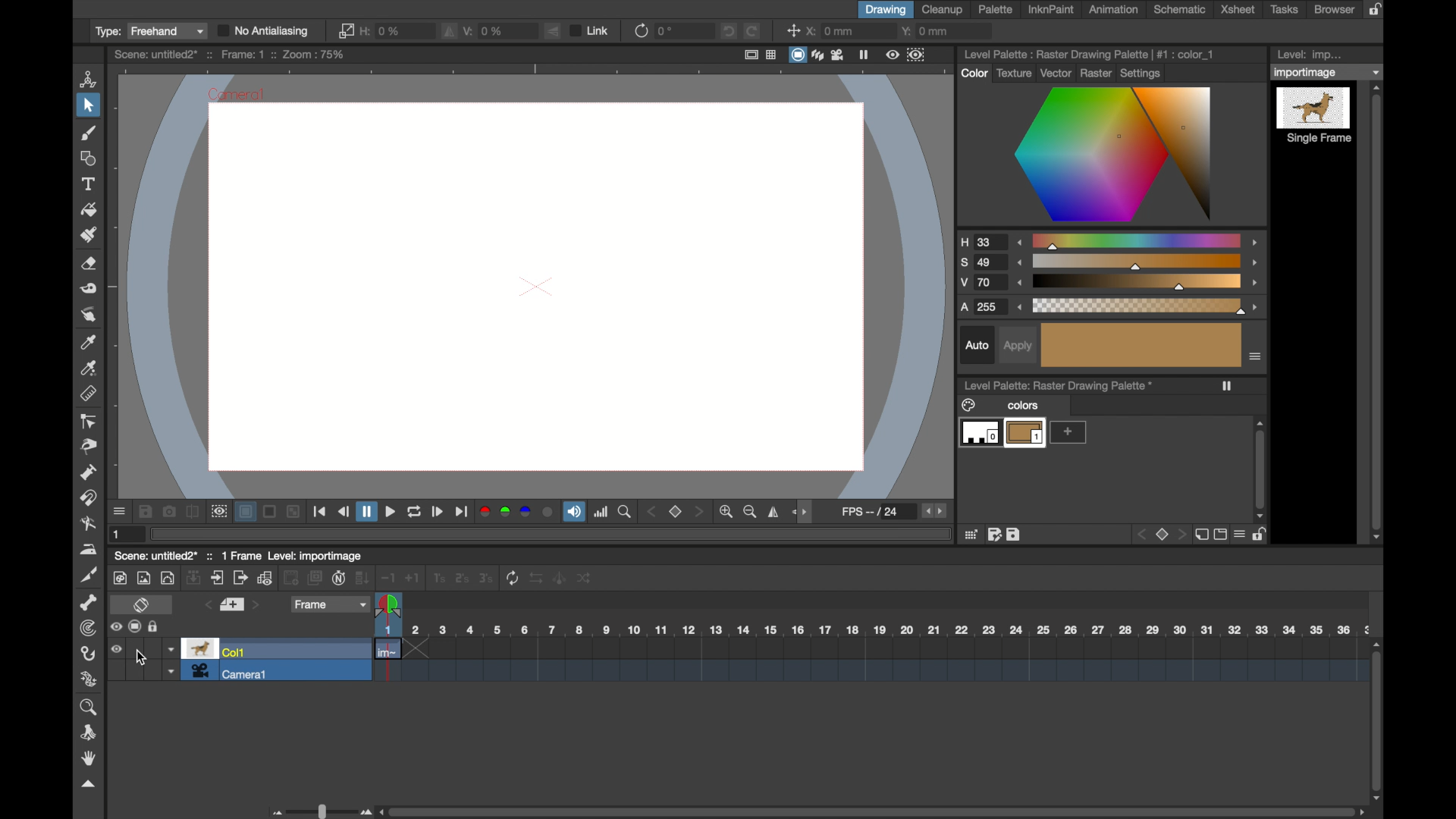 This screenshot has height=819, width=1456. I want to click on shape tool, so click(86, 158).